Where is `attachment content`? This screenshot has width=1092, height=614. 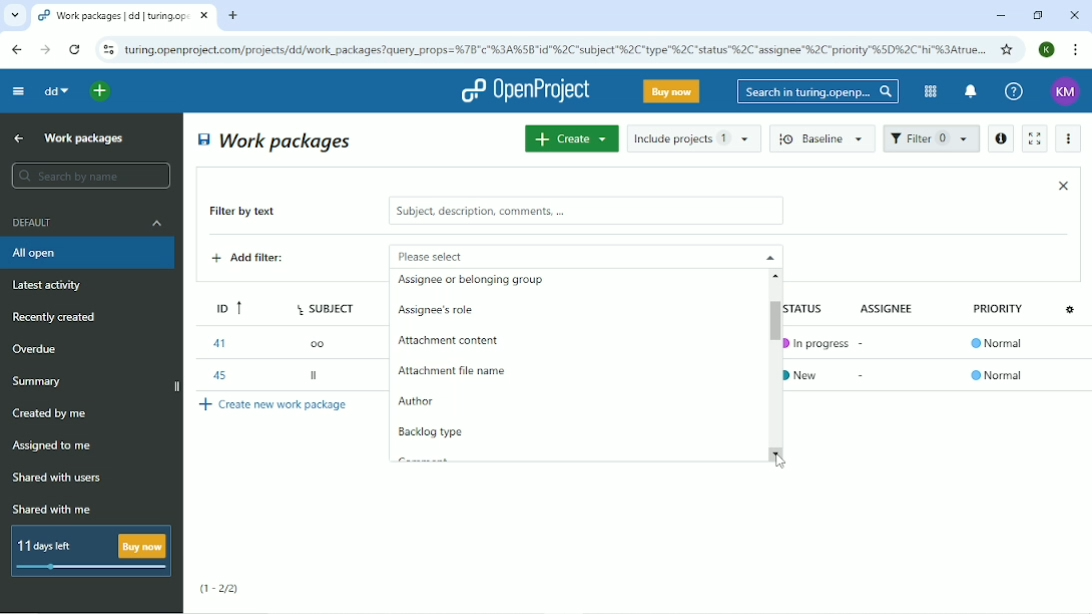
attachment content is located at coordinates (448, 340).